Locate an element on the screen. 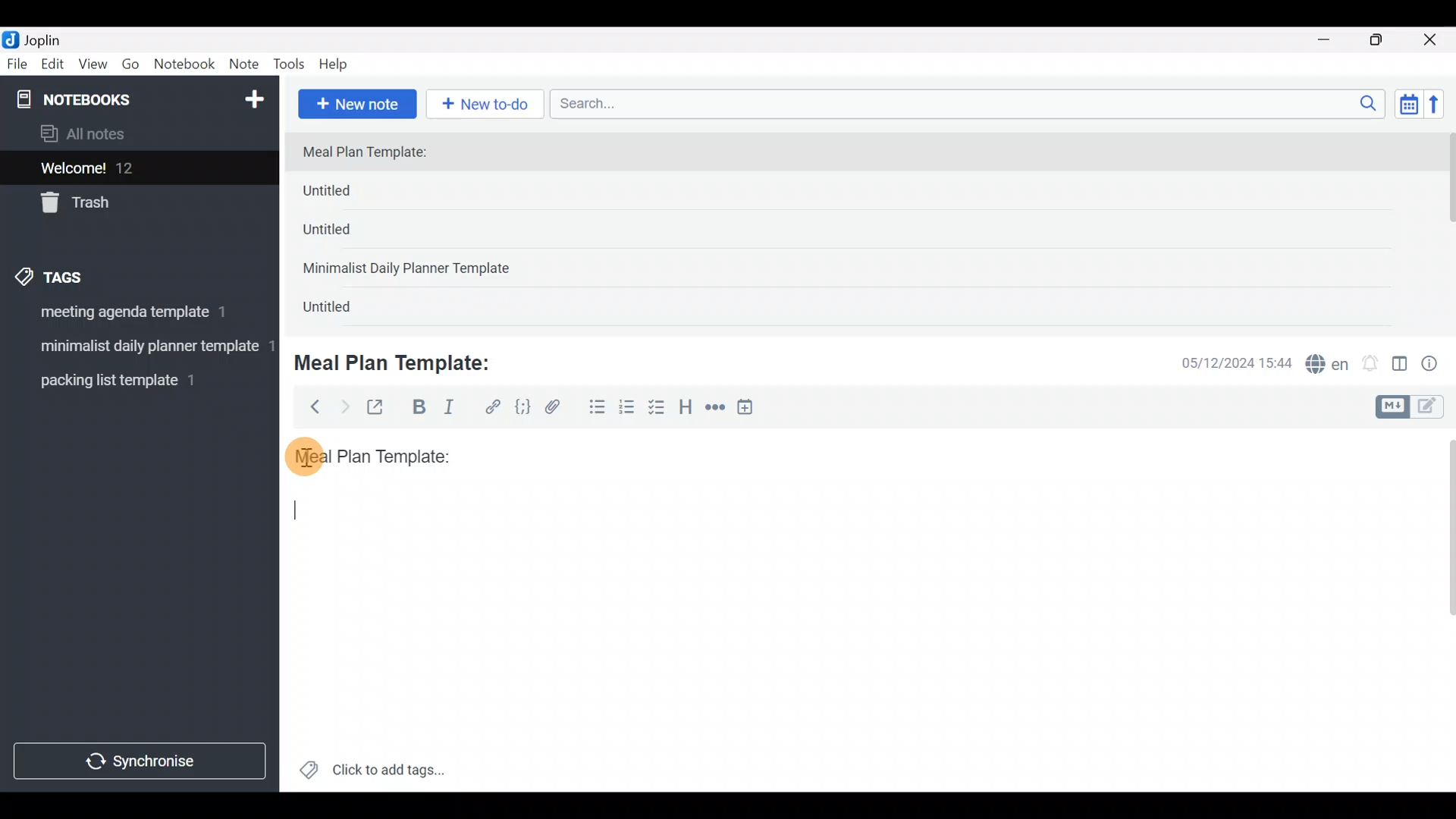  Search bar is located at coordinates (971, 102).